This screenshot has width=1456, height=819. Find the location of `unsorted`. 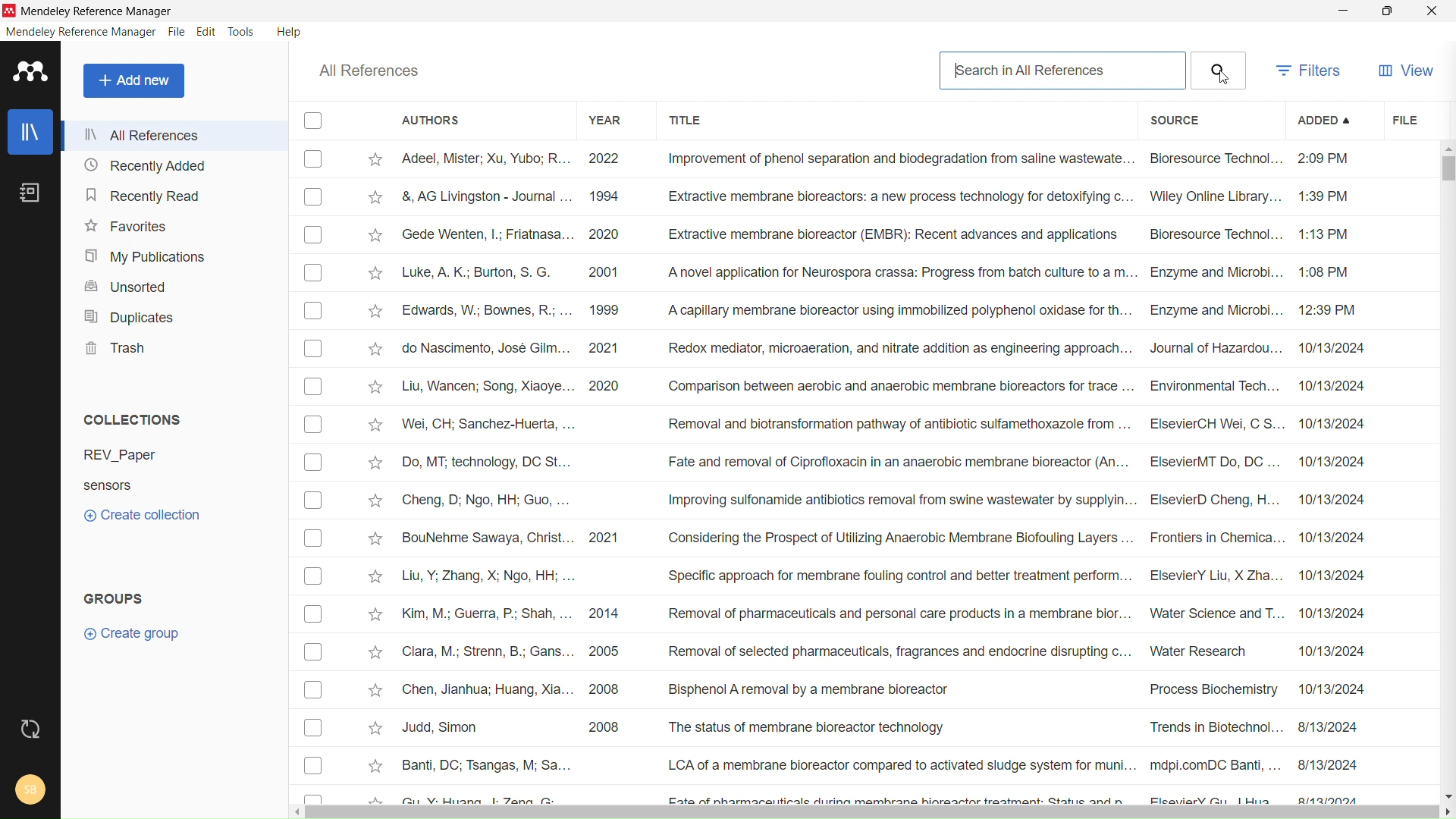

unsorted is located at coordinates (174, 284).